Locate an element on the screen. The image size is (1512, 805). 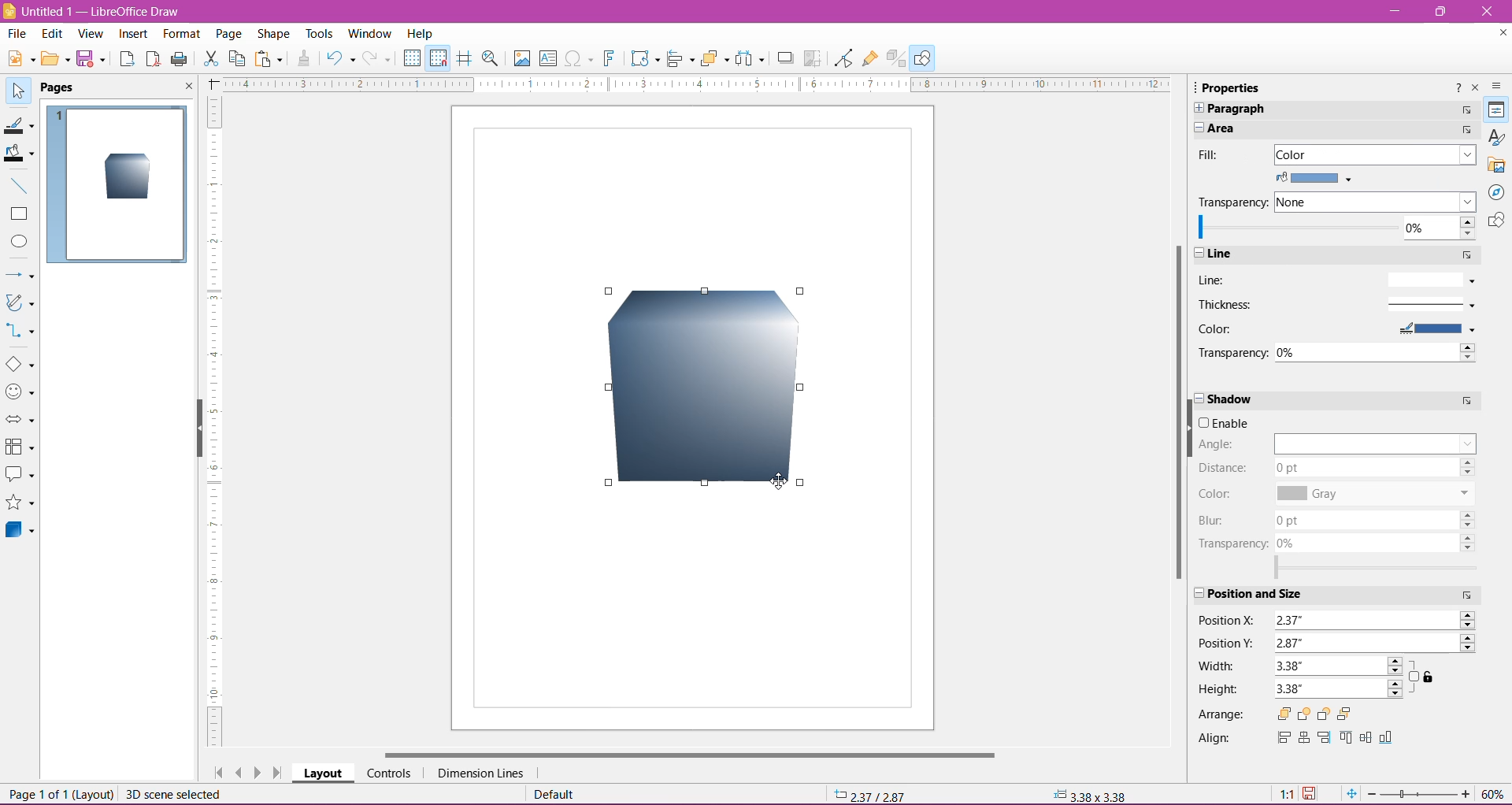
Help about this sidebar deck is located at coordinates (1456, 91).